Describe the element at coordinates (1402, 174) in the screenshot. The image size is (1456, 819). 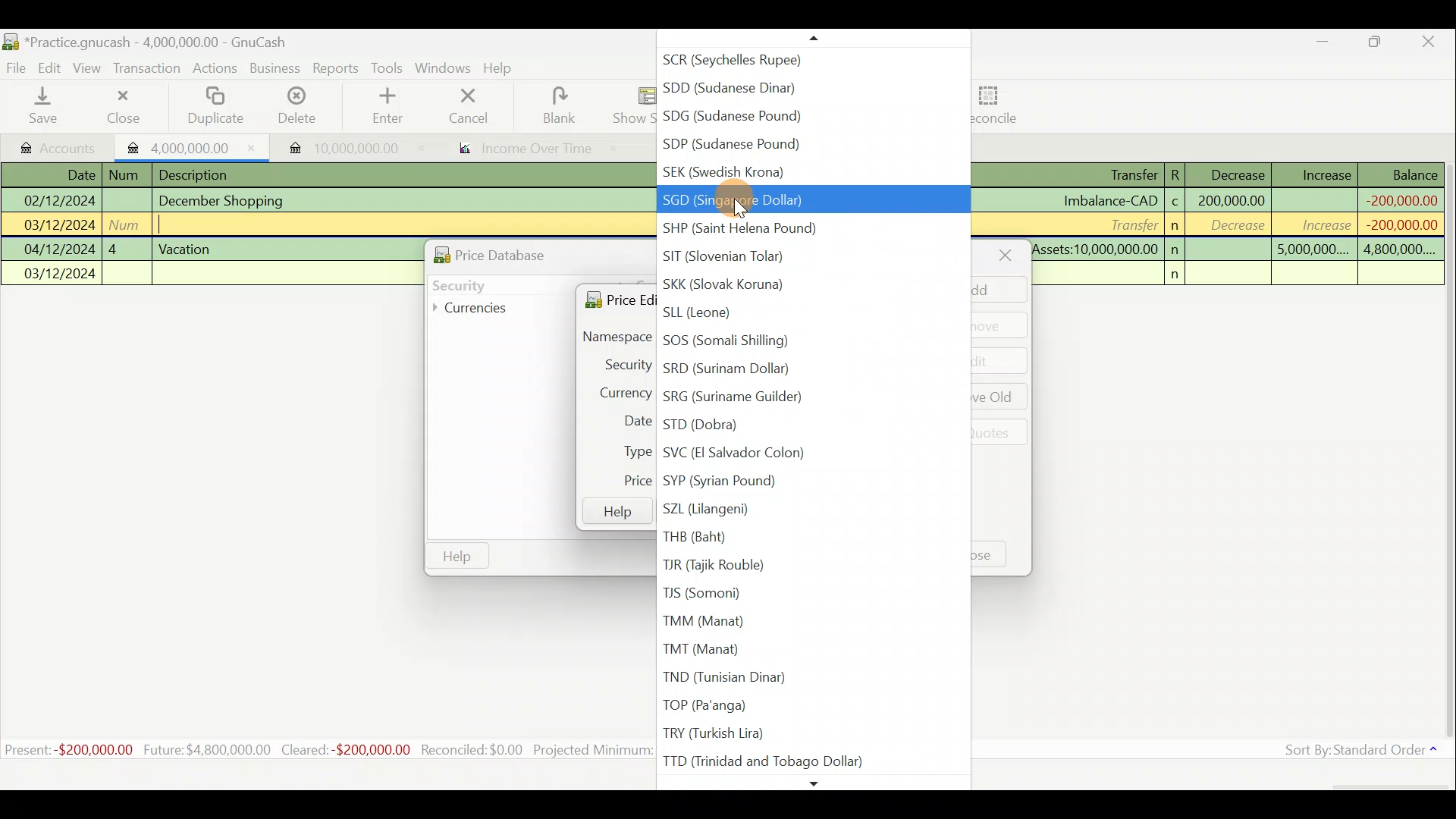
I see `Balance` at that location.